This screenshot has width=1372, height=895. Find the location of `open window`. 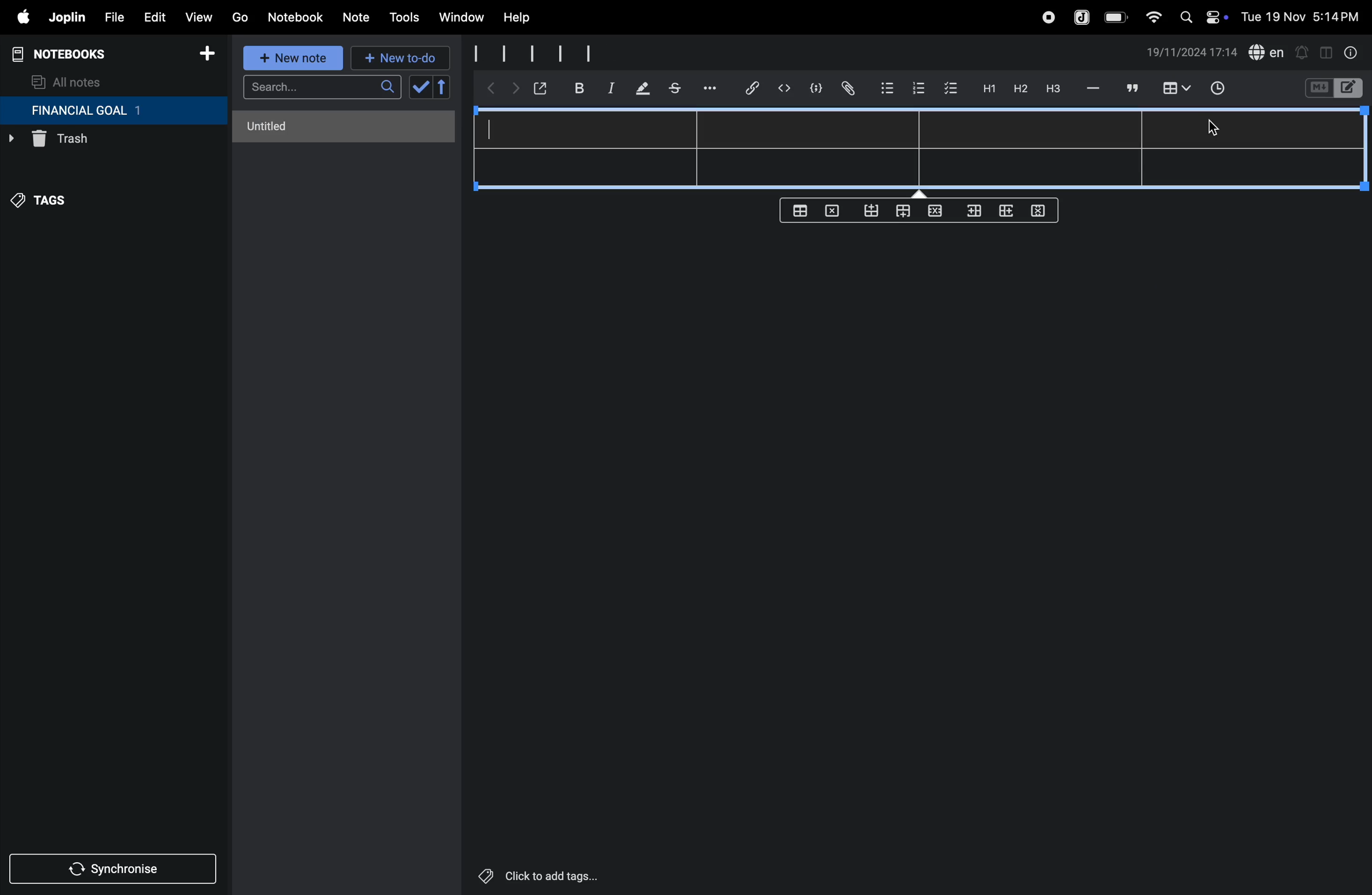

open window is located at coordinates (539, 88).